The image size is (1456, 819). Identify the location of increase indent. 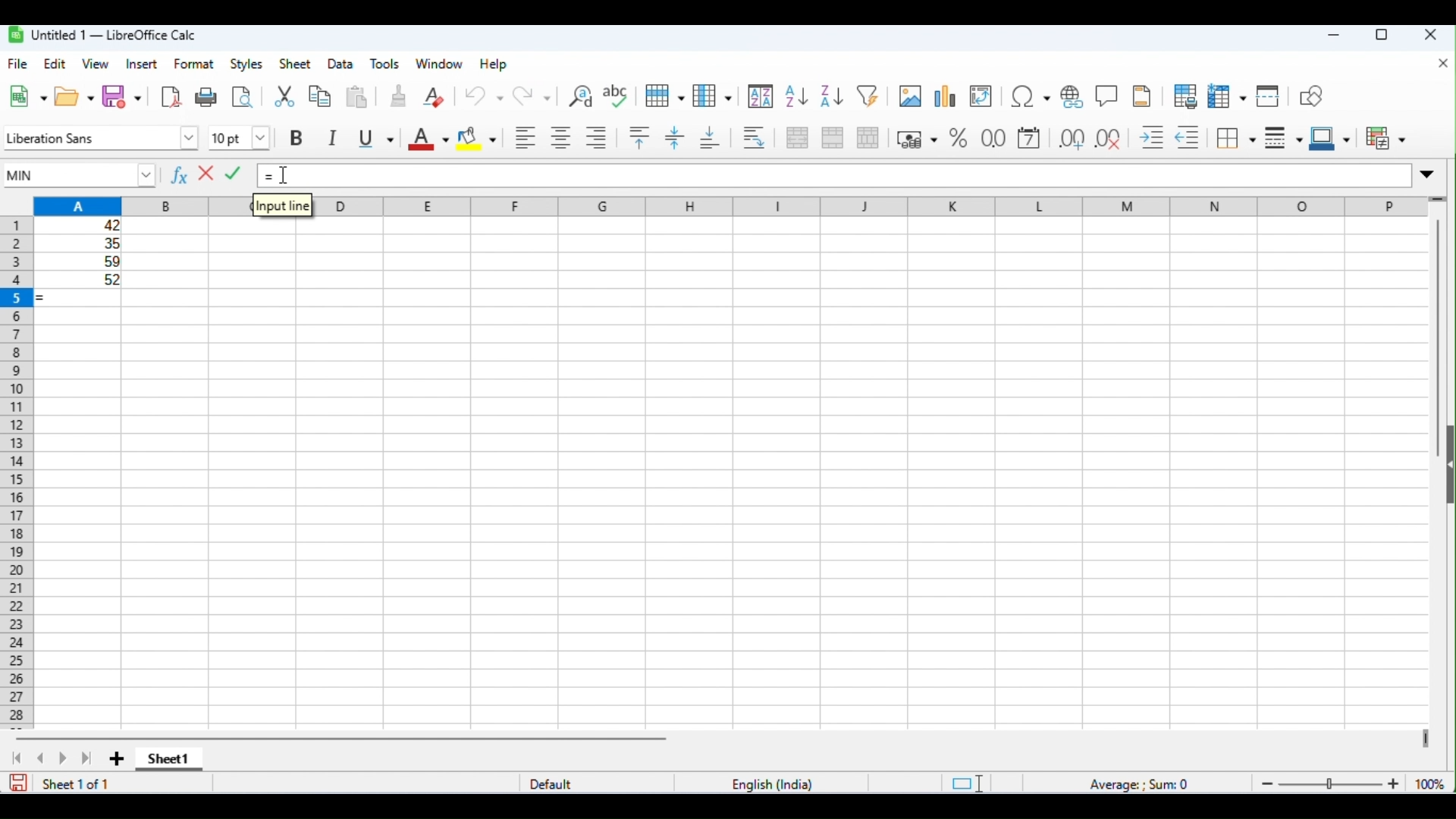
(1153, 136).